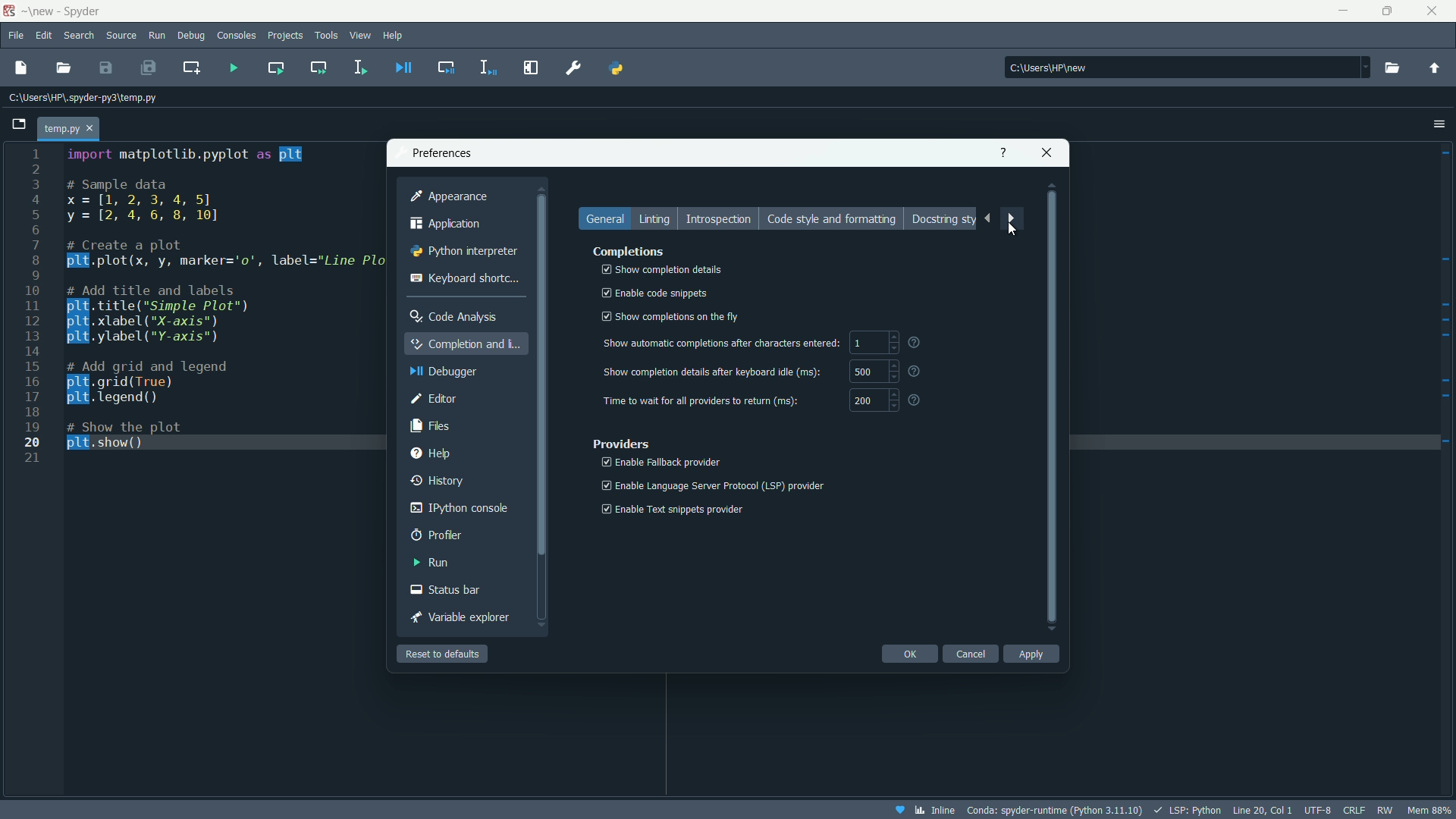 The width and height of the screenshot is (1456, 819). Describe the element at coordinates (1436, 11) in the screenshot. I see `close app` at that location.